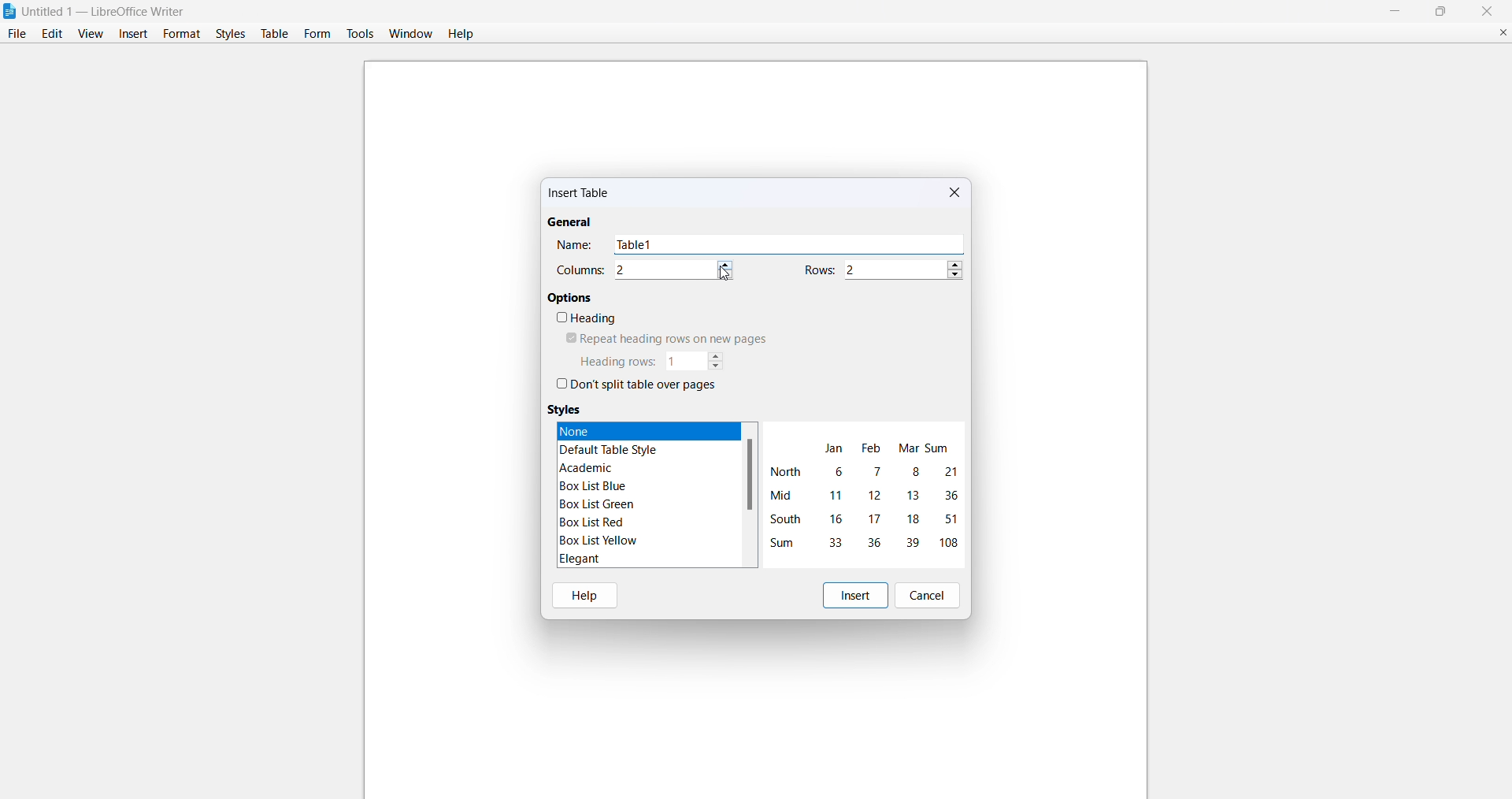  What do you see at coordinates (661, 339) in the screenshot?
I see `repeat heading rows on new pages 2` at bounding box center [661, 339].